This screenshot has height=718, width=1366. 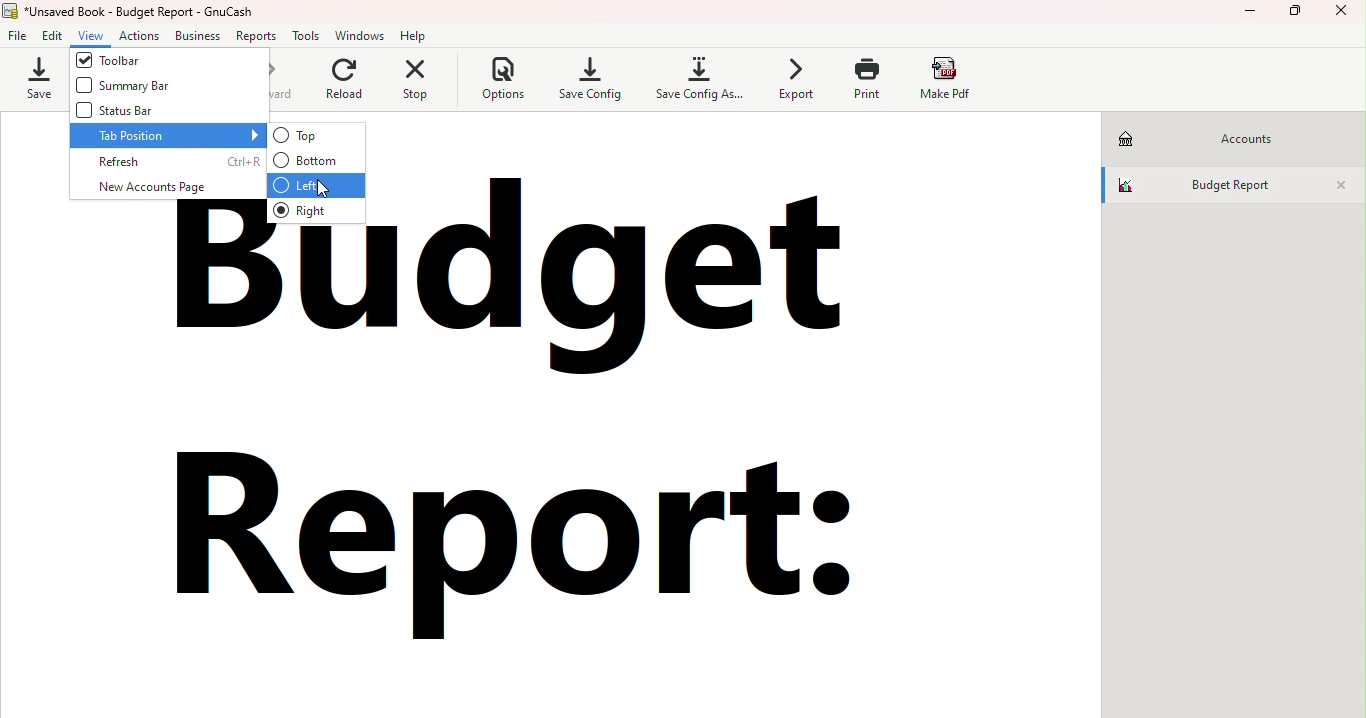 I want to click on Budget report, so click(x=1213, y=184).